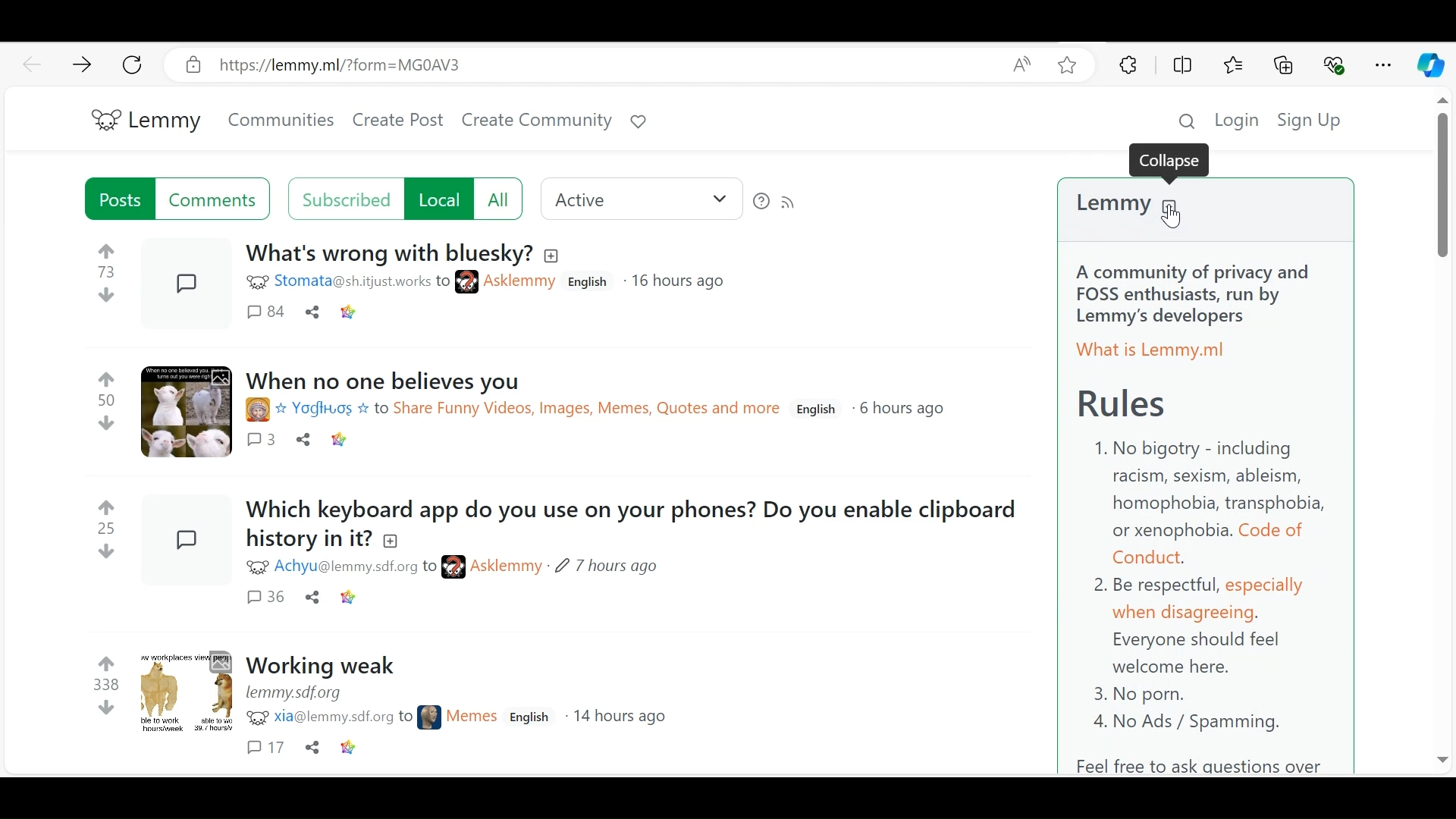 Image resolution: width=1456 pixels, height=819 pixels. I want to click on Settings and more, so click(1385, 64).